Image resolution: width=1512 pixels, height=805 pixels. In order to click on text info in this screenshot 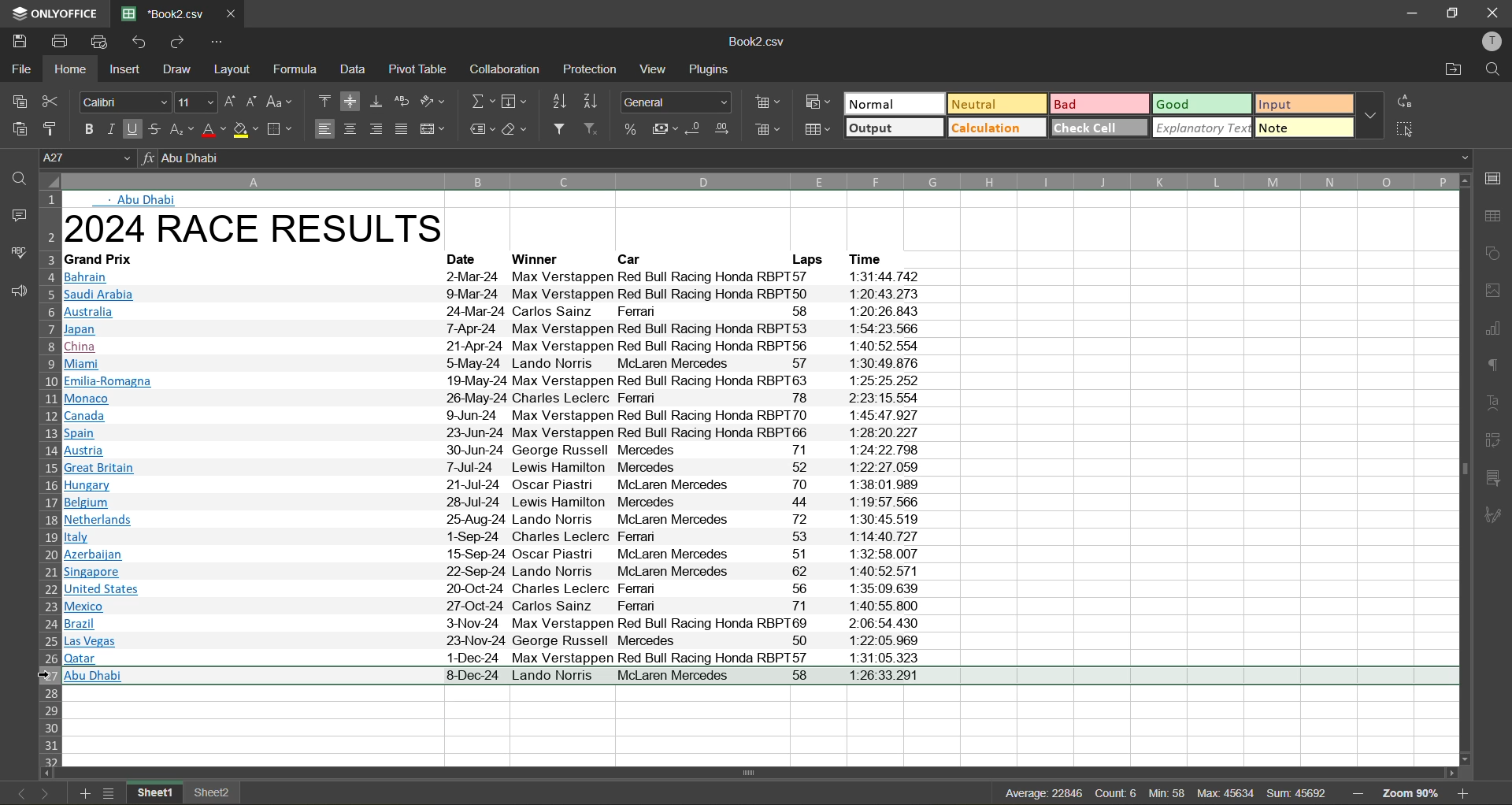, I will do `click(498, 520)`.